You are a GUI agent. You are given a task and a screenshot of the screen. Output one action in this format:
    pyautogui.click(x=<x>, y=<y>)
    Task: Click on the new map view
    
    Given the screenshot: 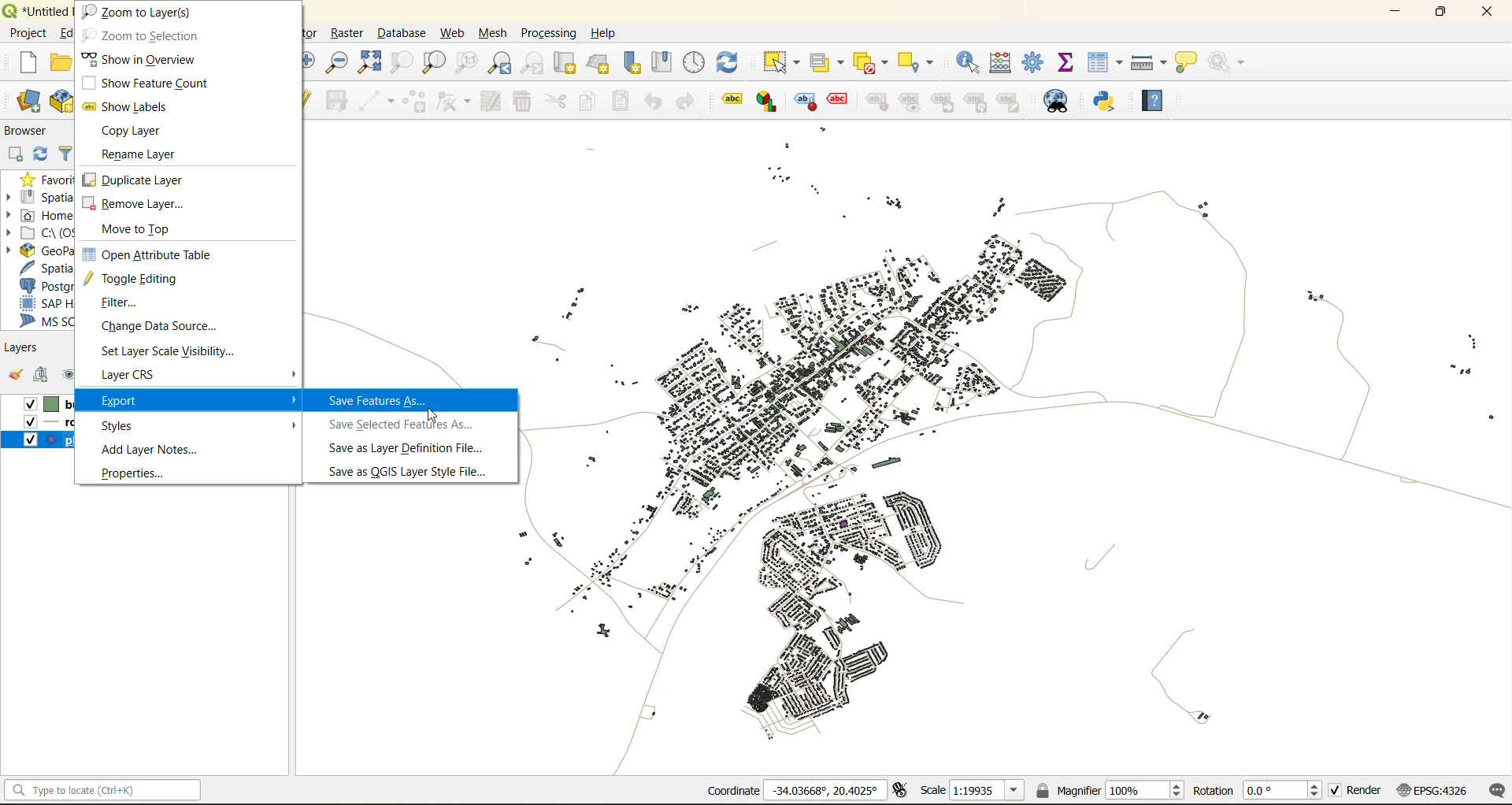 What is the action you would take?
    pyautogui.click(x=566, y=63)
    